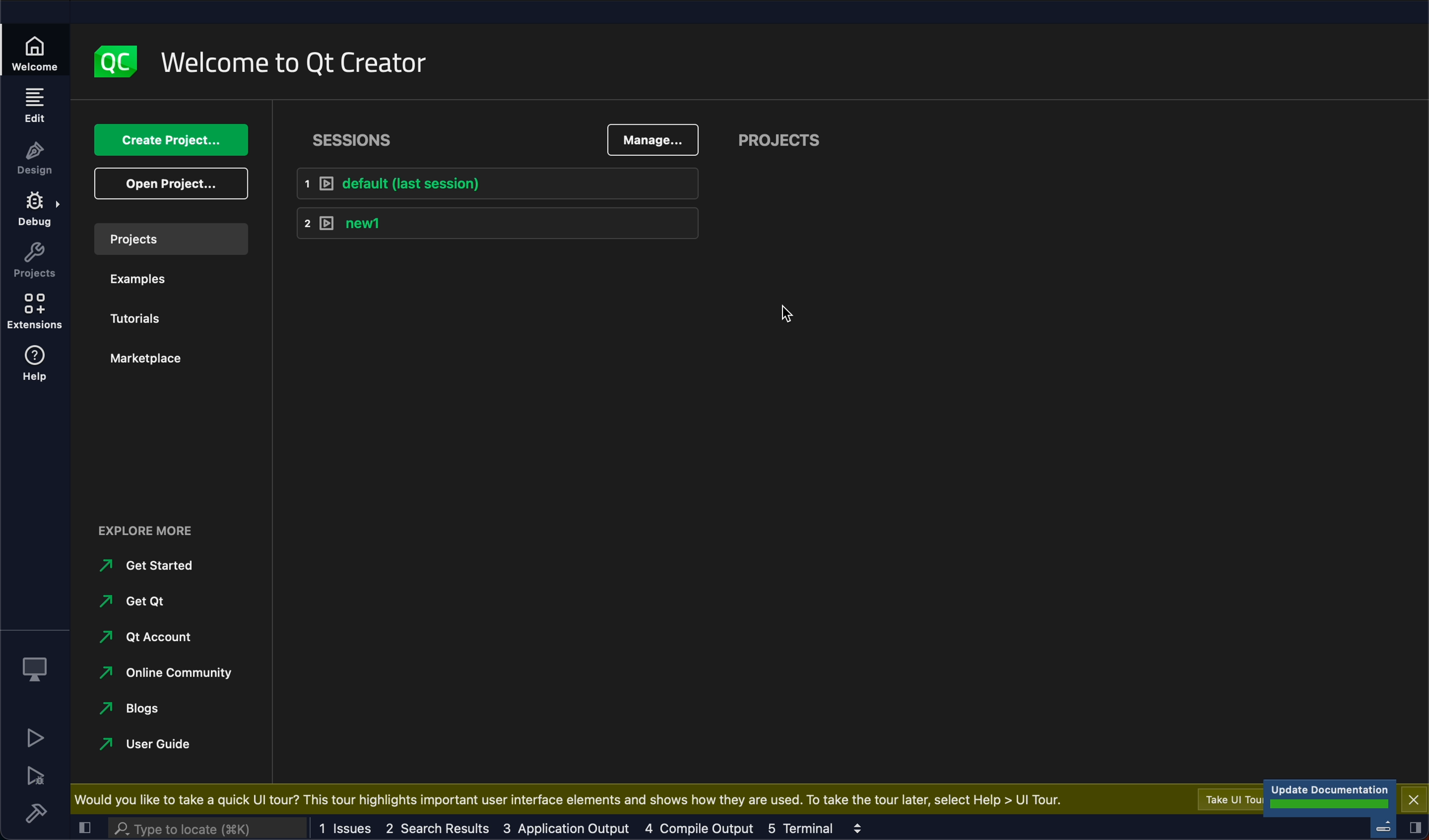 This screenshot has width=1429, height=840. What do you see at coordinates (35, 776) in the screenshot?
I see `run debug` at bounding box center [35, 776].